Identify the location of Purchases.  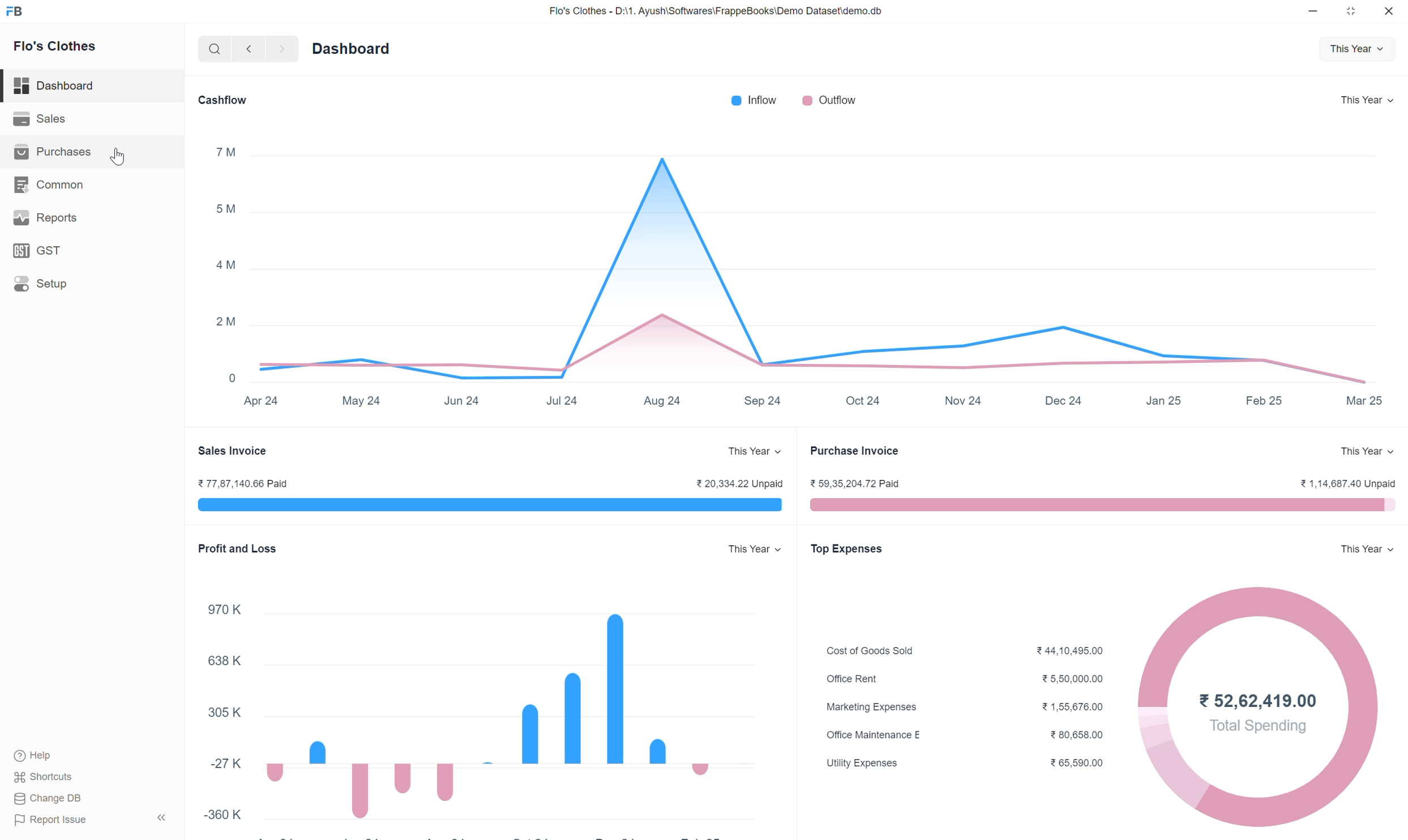
(91, 152).